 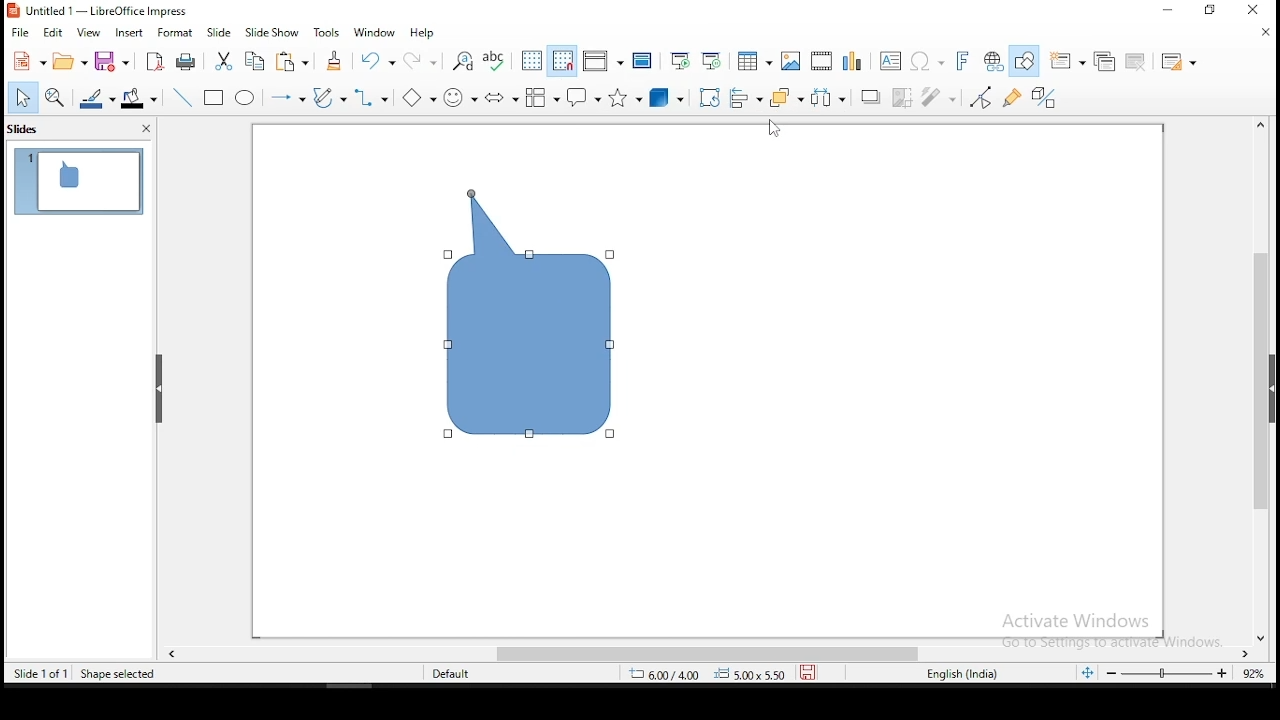 I want to click on align objects, so click(x=744, y=98).